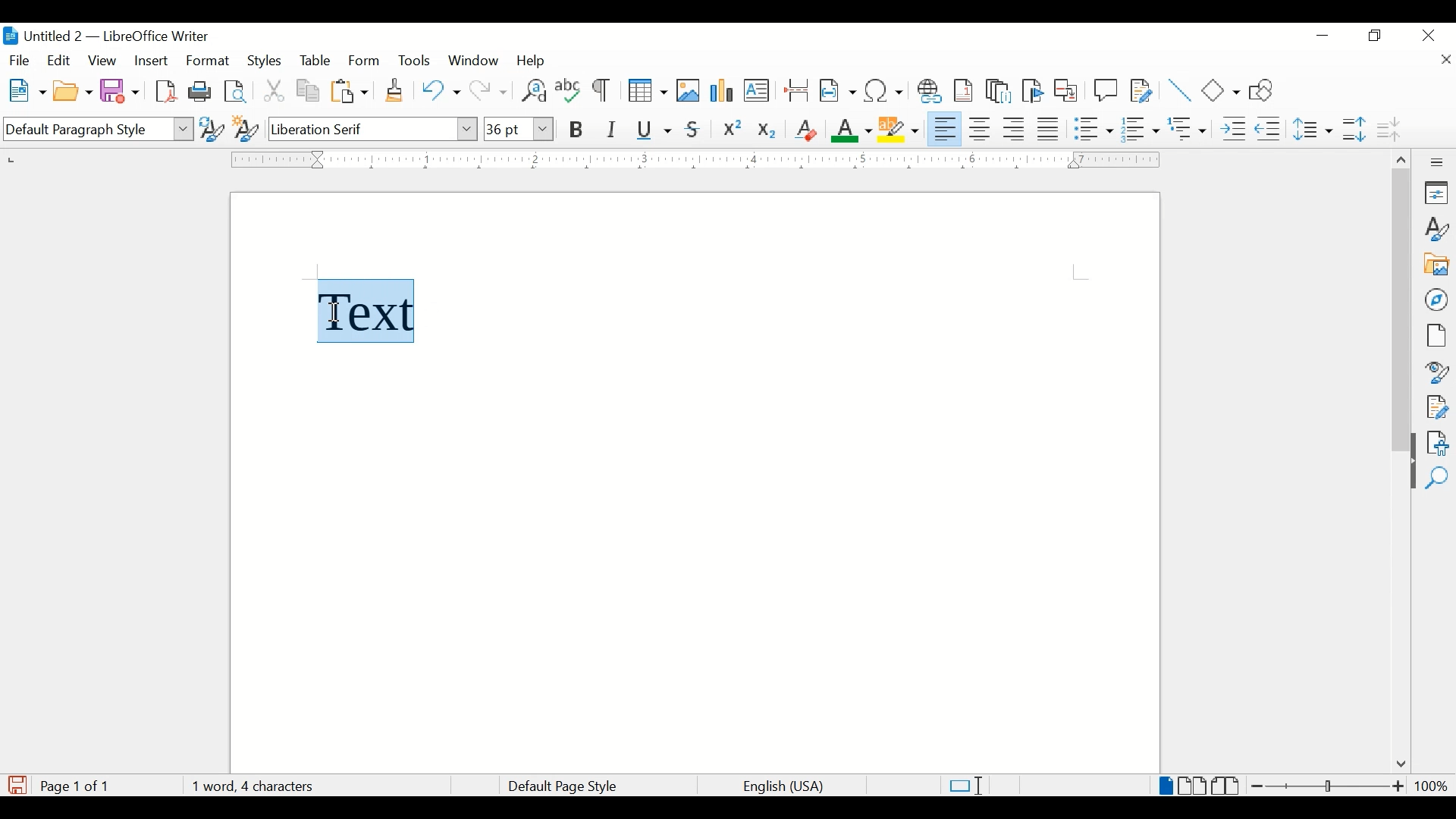 The width and height of the screenshot is (1456, 819). I want to click on word count, so click(253, 786).